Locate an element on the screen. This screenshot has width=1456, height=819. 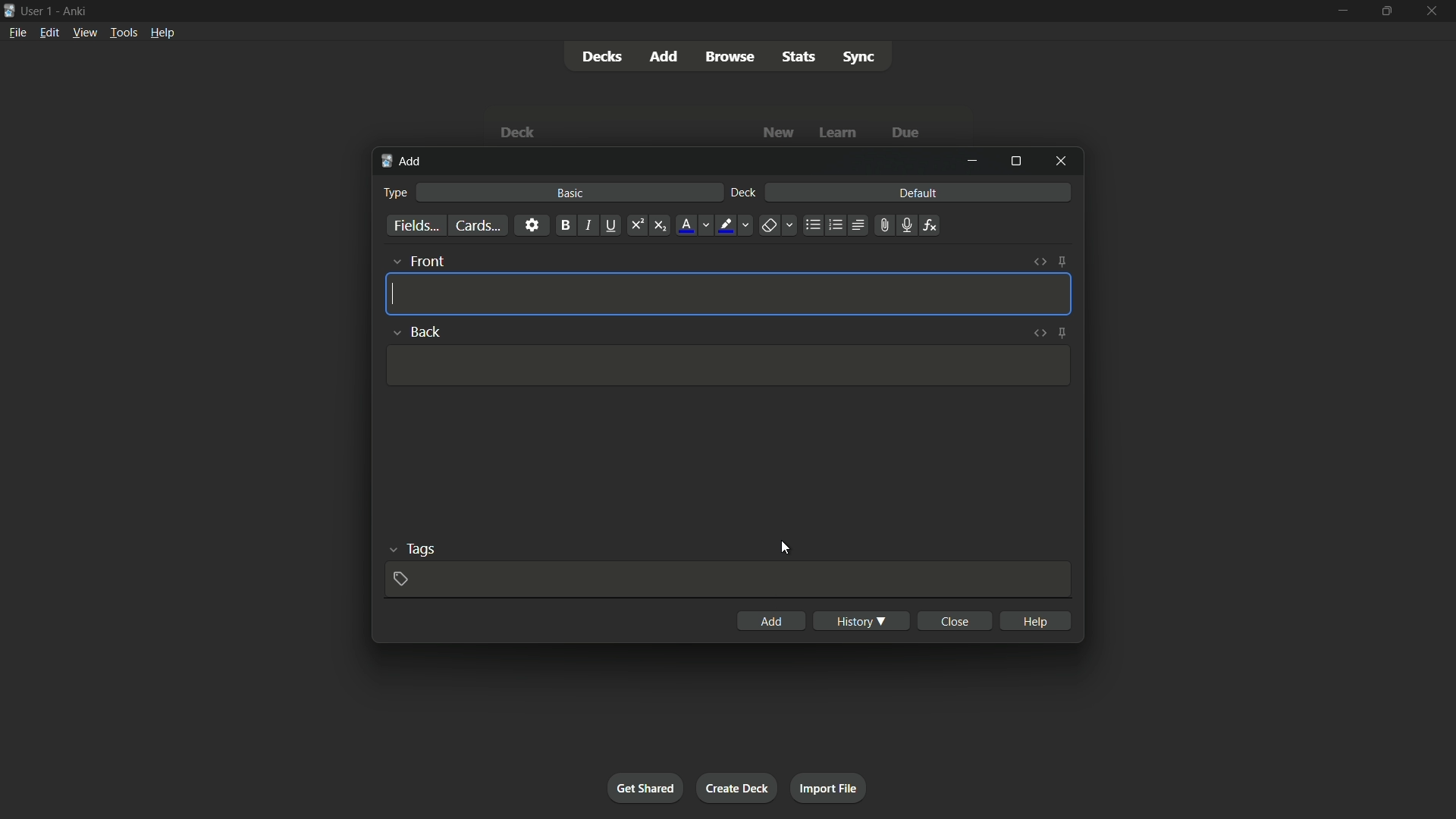
help menu is located at coordinates (163, 33).